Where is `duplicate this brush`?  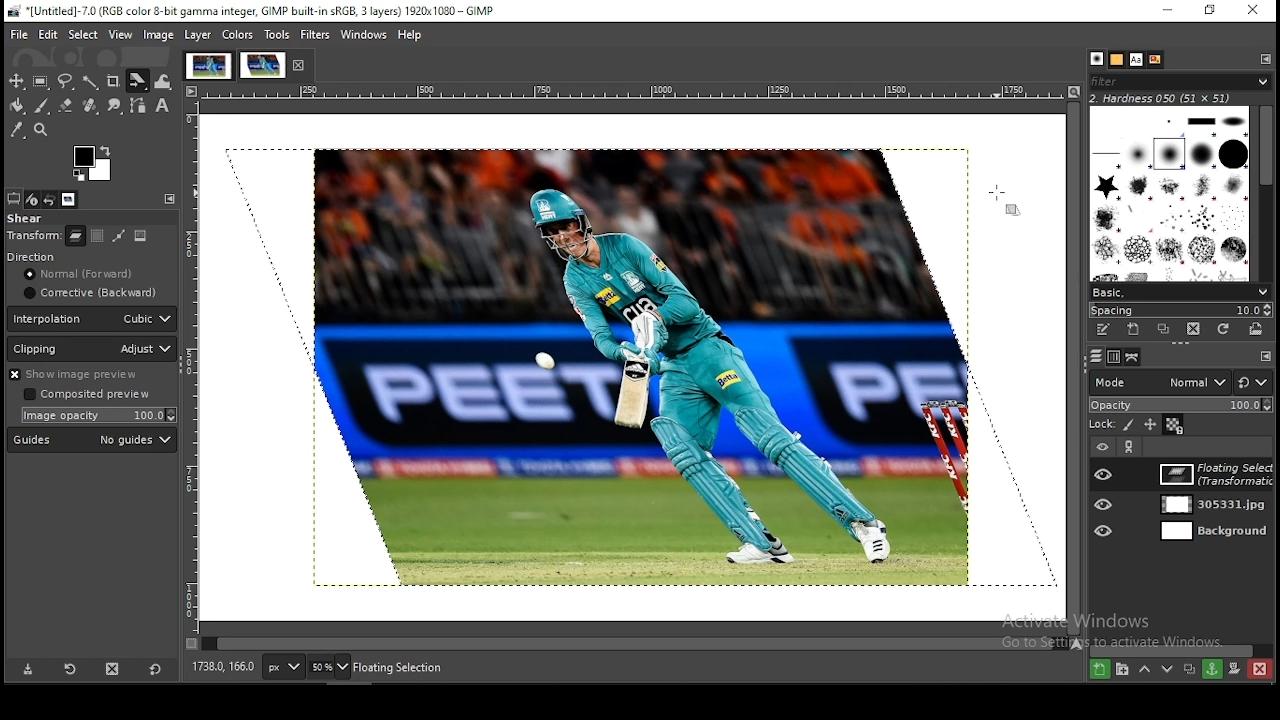 duplicate this brush is located at coordinates (1163, 329).